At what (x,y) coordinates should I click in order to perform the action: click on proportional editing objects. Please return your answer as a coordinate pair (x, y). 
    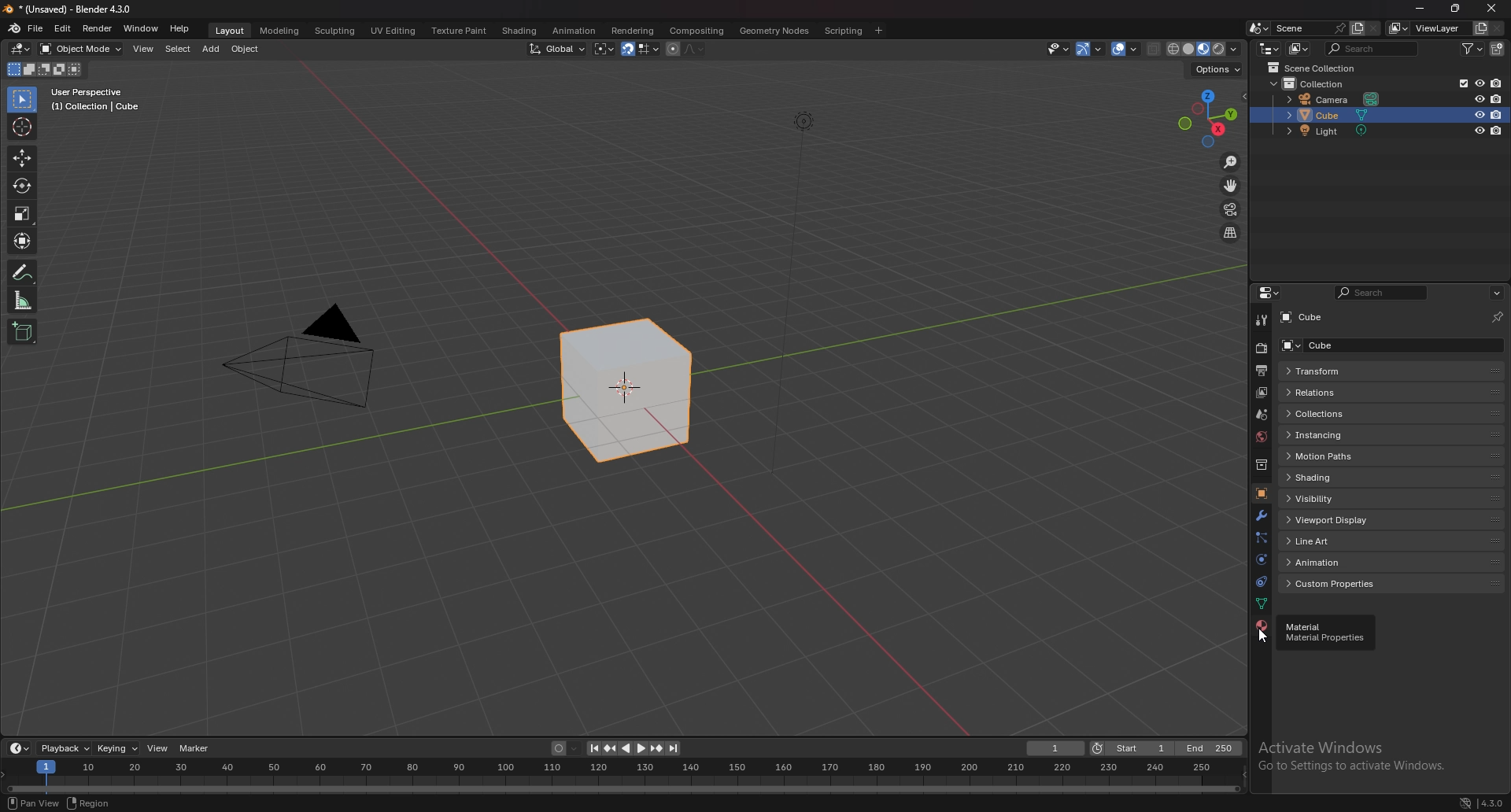
    Looking at the image, I should click on (671, 49).